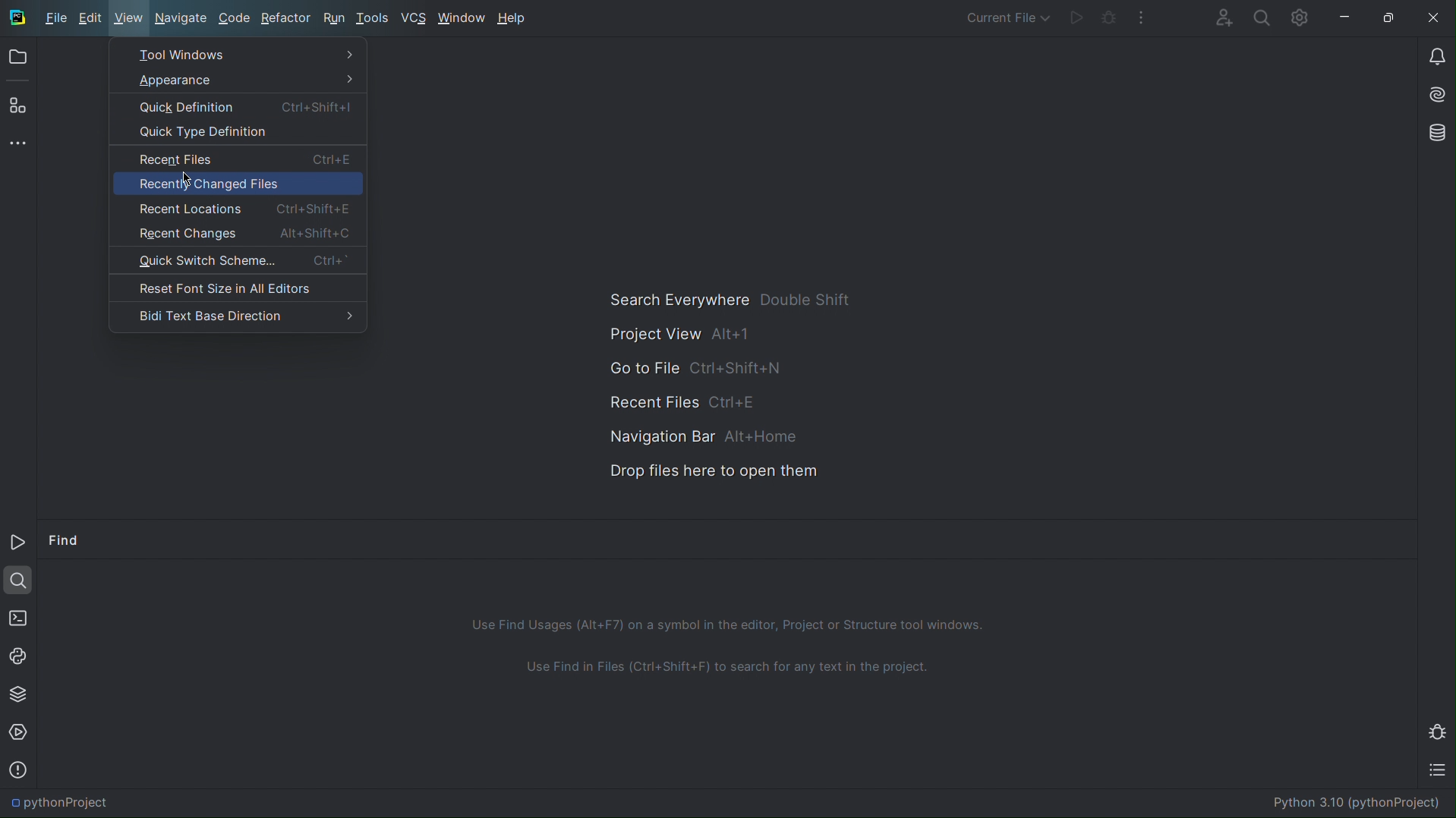 Image resolution: width=1456 pixels, height=818 pixels. I want to click on Quick Type Definition, so click(236, 134).